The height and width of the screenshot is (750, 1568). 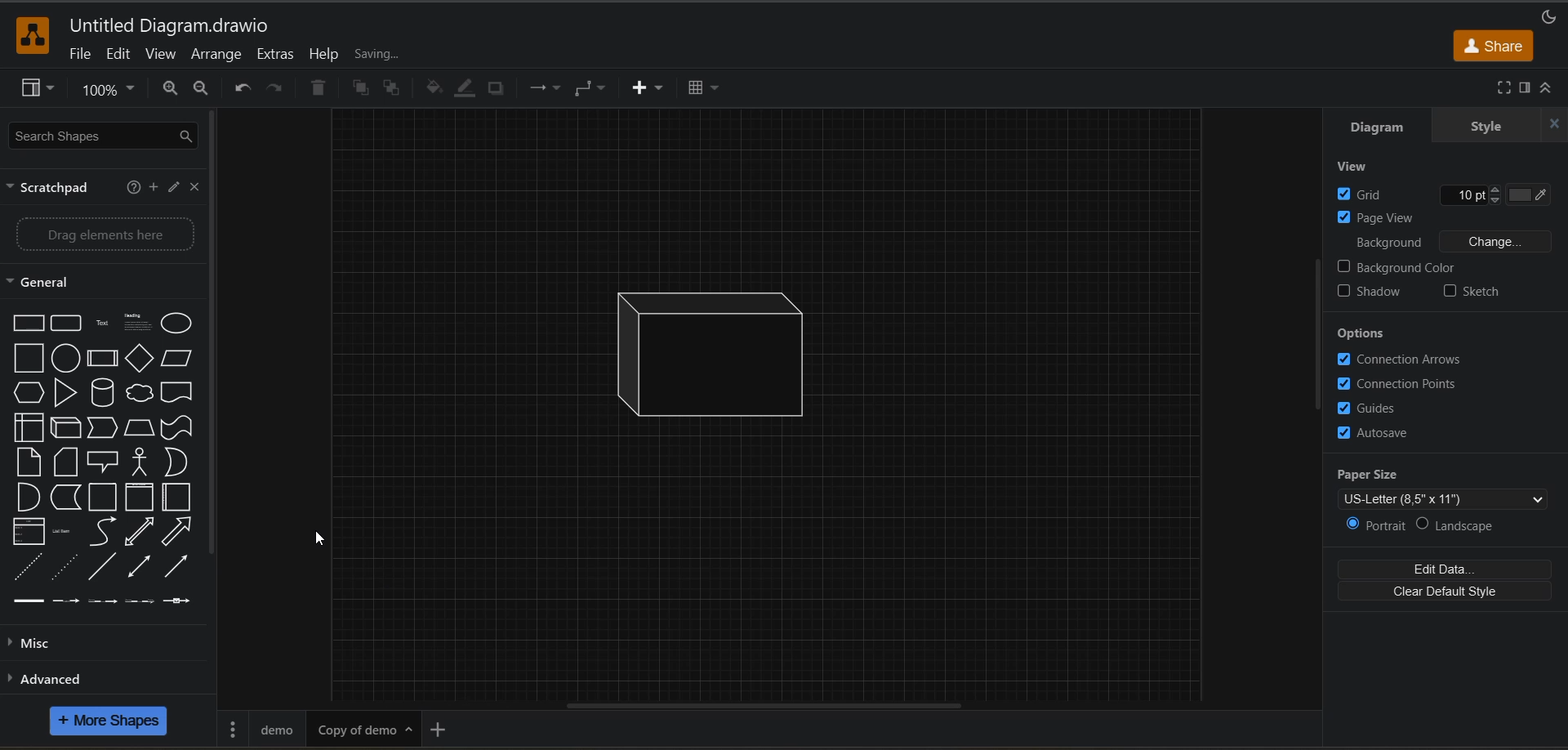 I want to click on app logo, so click(x=33, y=35).